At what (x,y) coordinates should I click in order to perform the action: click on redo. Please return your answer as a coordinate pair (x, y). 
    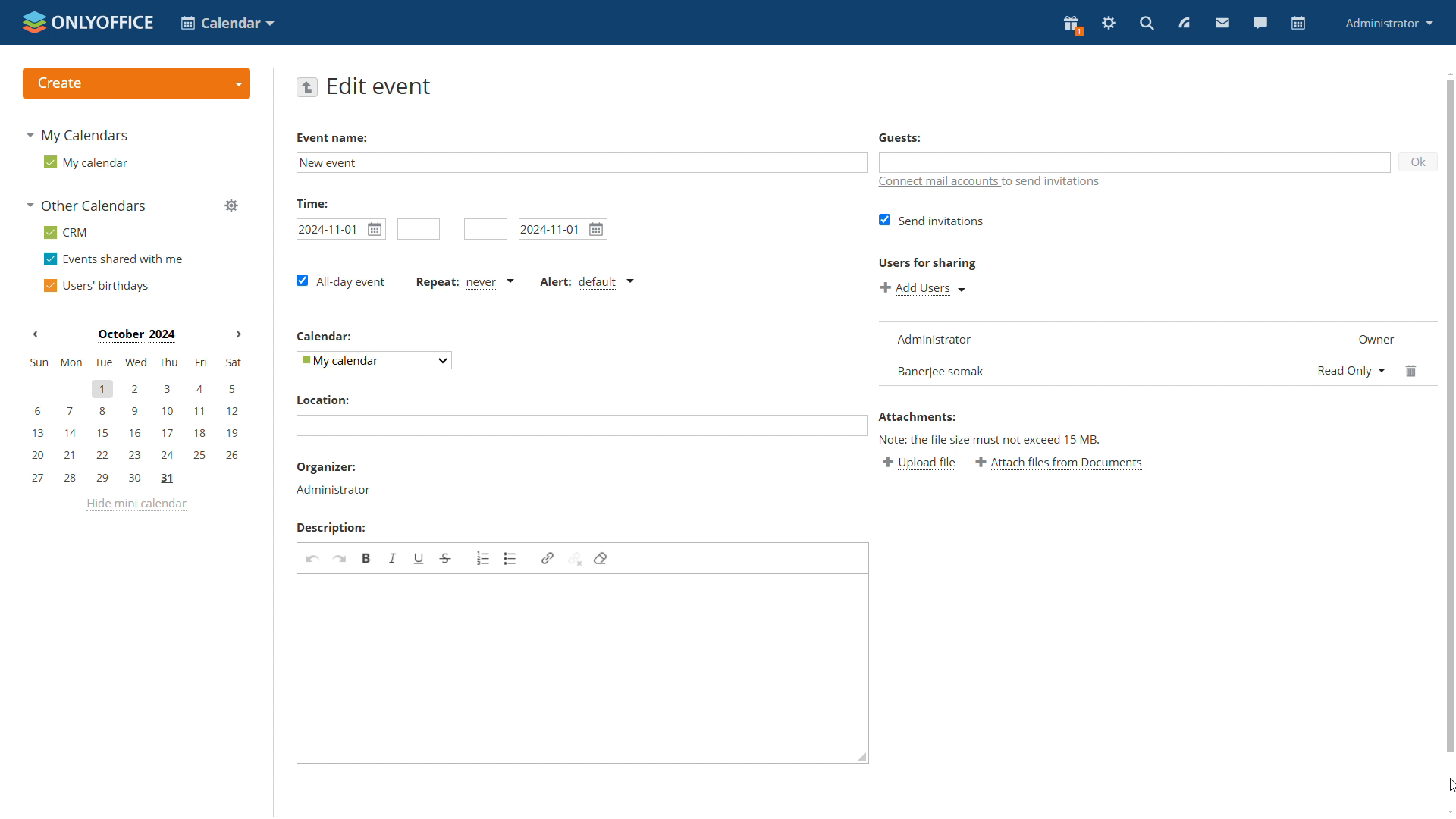
    Looking at the image, I should click on (339, 560).